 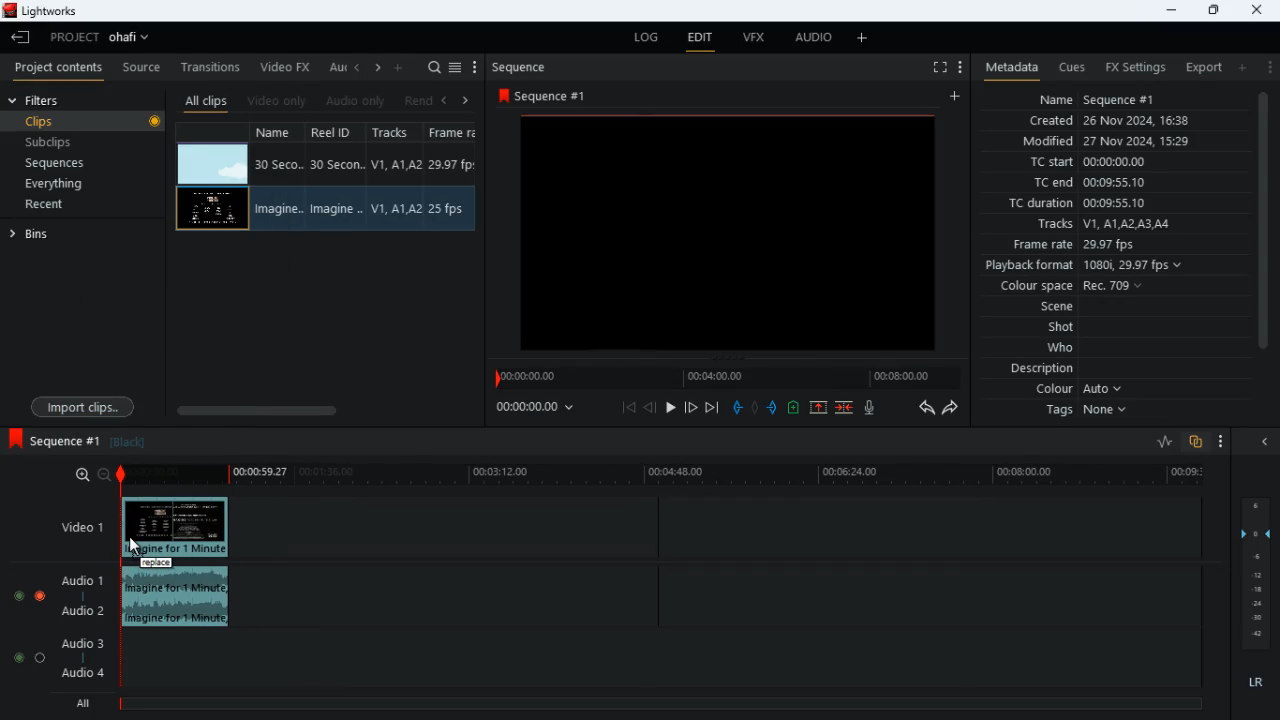 I want to click on new, so click(x=796, y=410).